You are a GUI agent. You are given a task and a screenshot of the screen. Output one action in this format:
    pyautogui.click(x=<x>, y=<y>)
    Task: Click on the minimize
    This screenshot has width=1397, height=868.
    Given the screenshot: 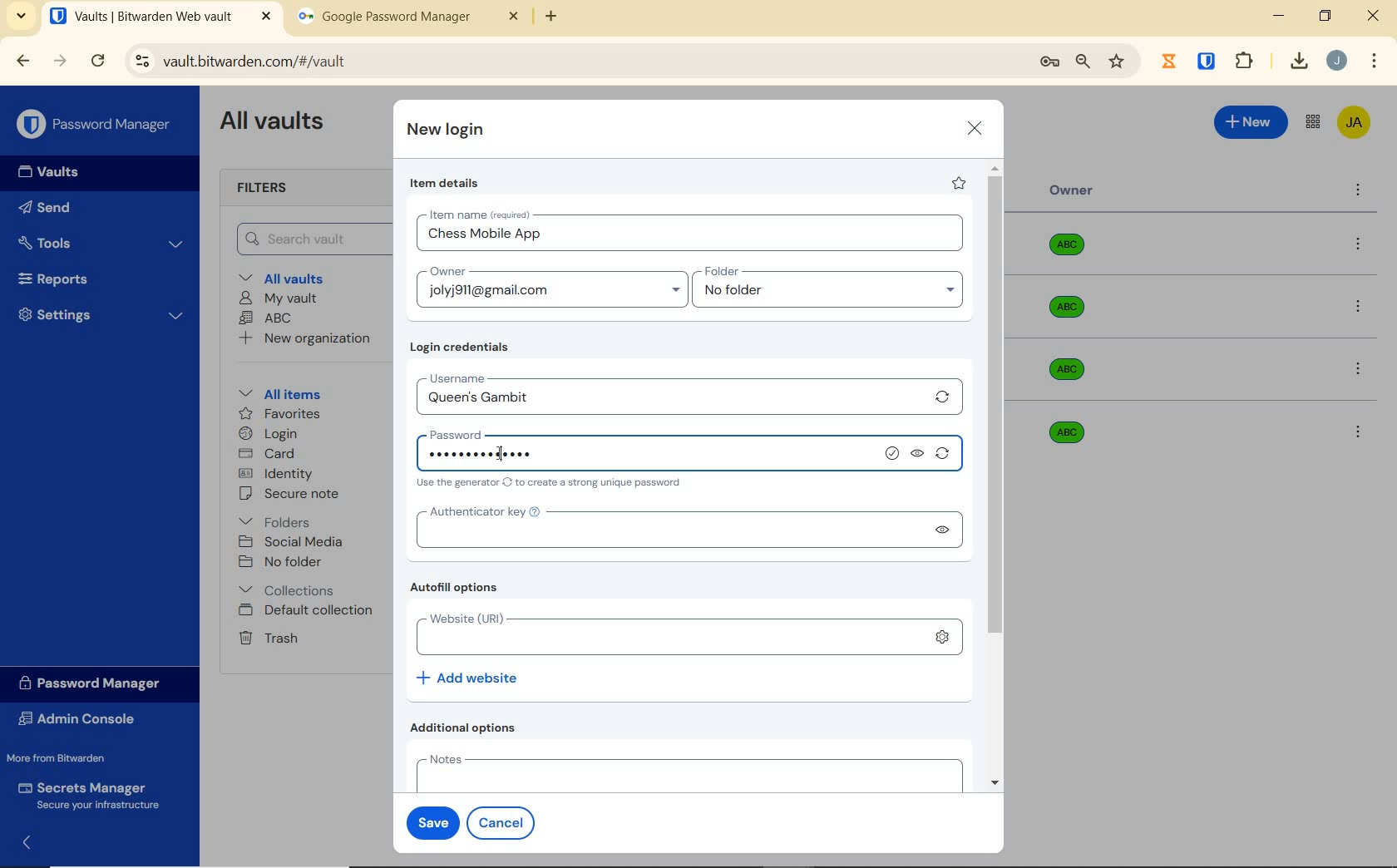 What is the action you would take?
    pyautogui.click(x=1278, y=16)
    